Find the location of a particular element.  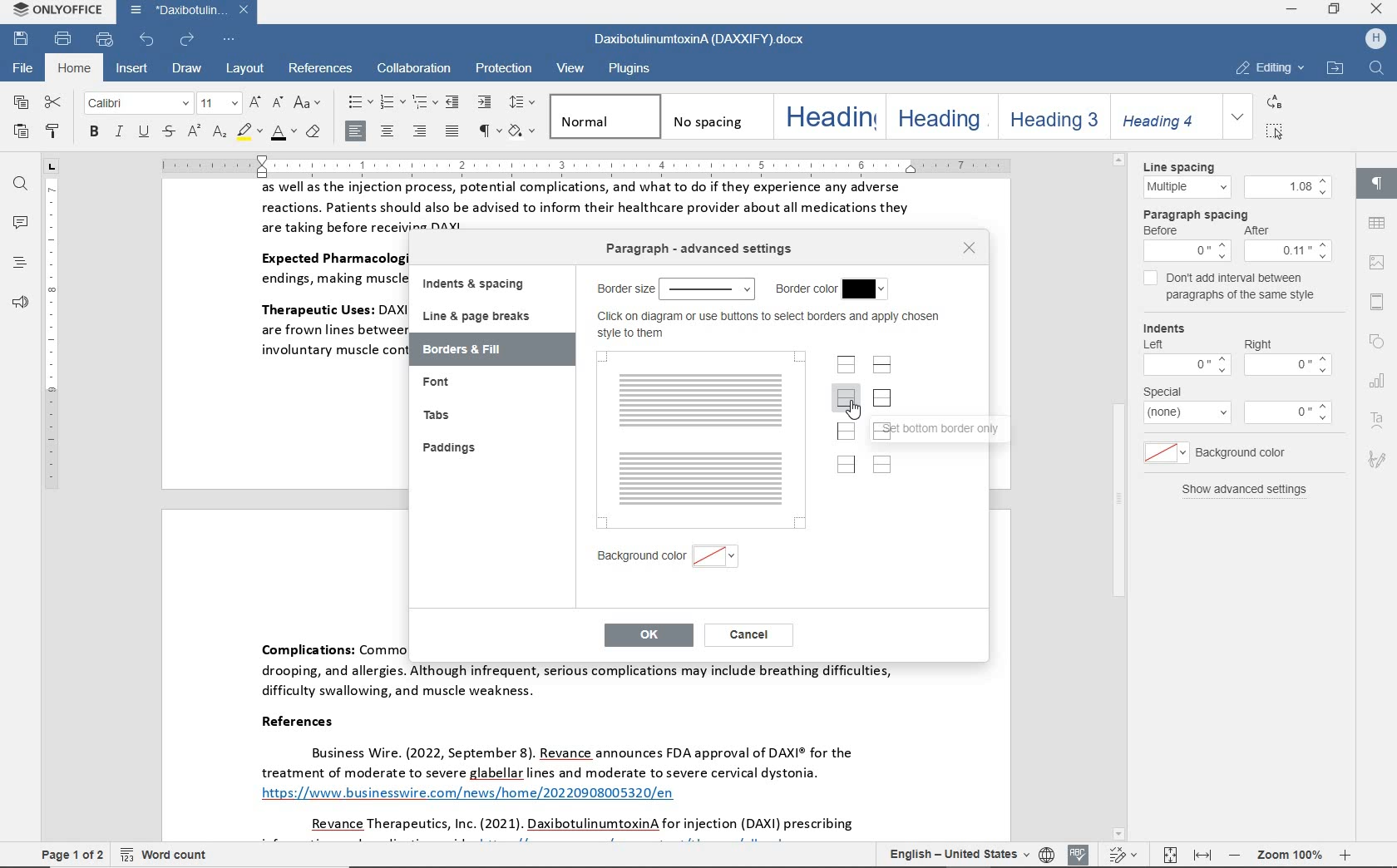

ok is located at coordinates (644, 635).